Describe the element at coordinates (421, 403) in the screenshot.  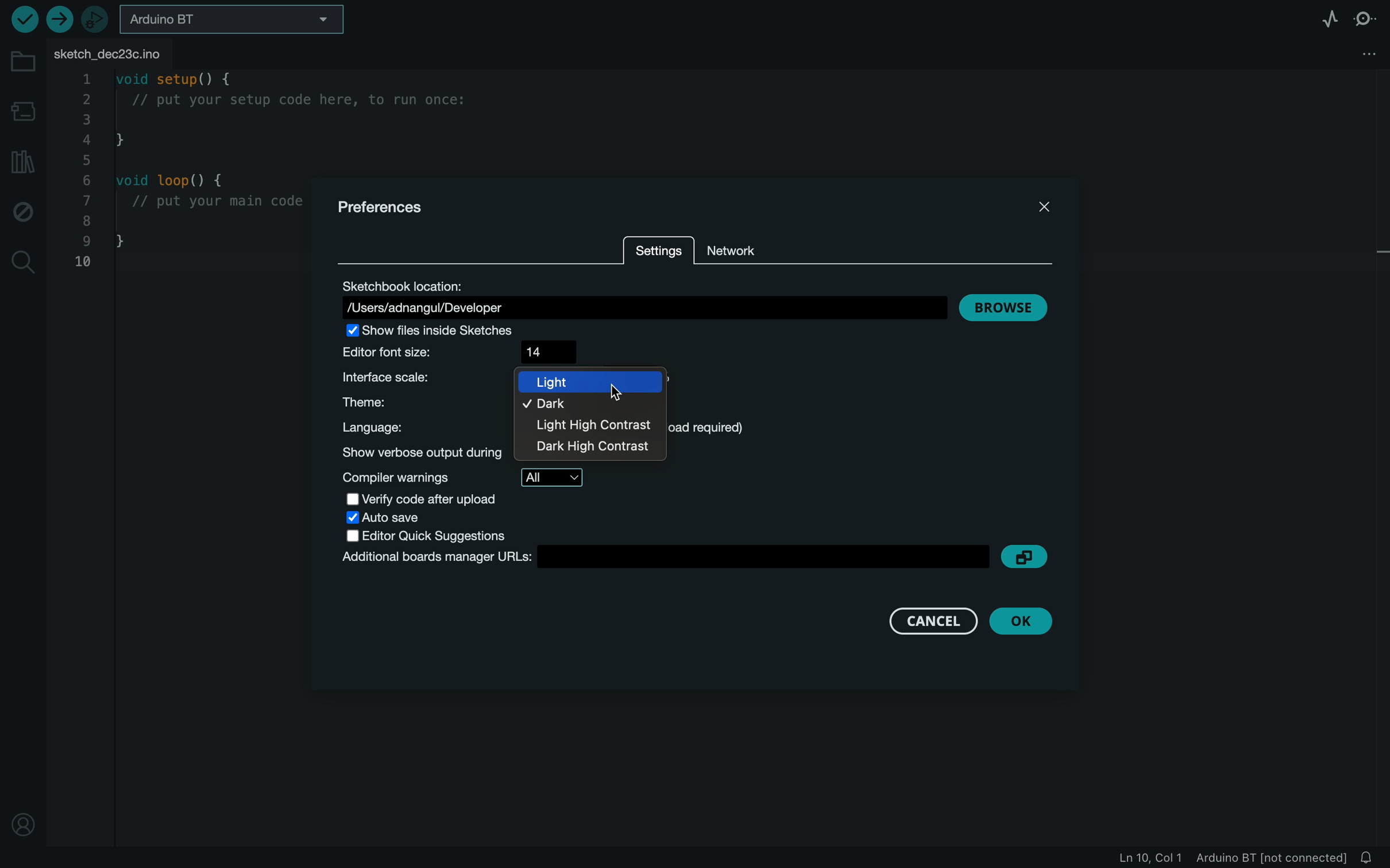
I see `theme` at that location.